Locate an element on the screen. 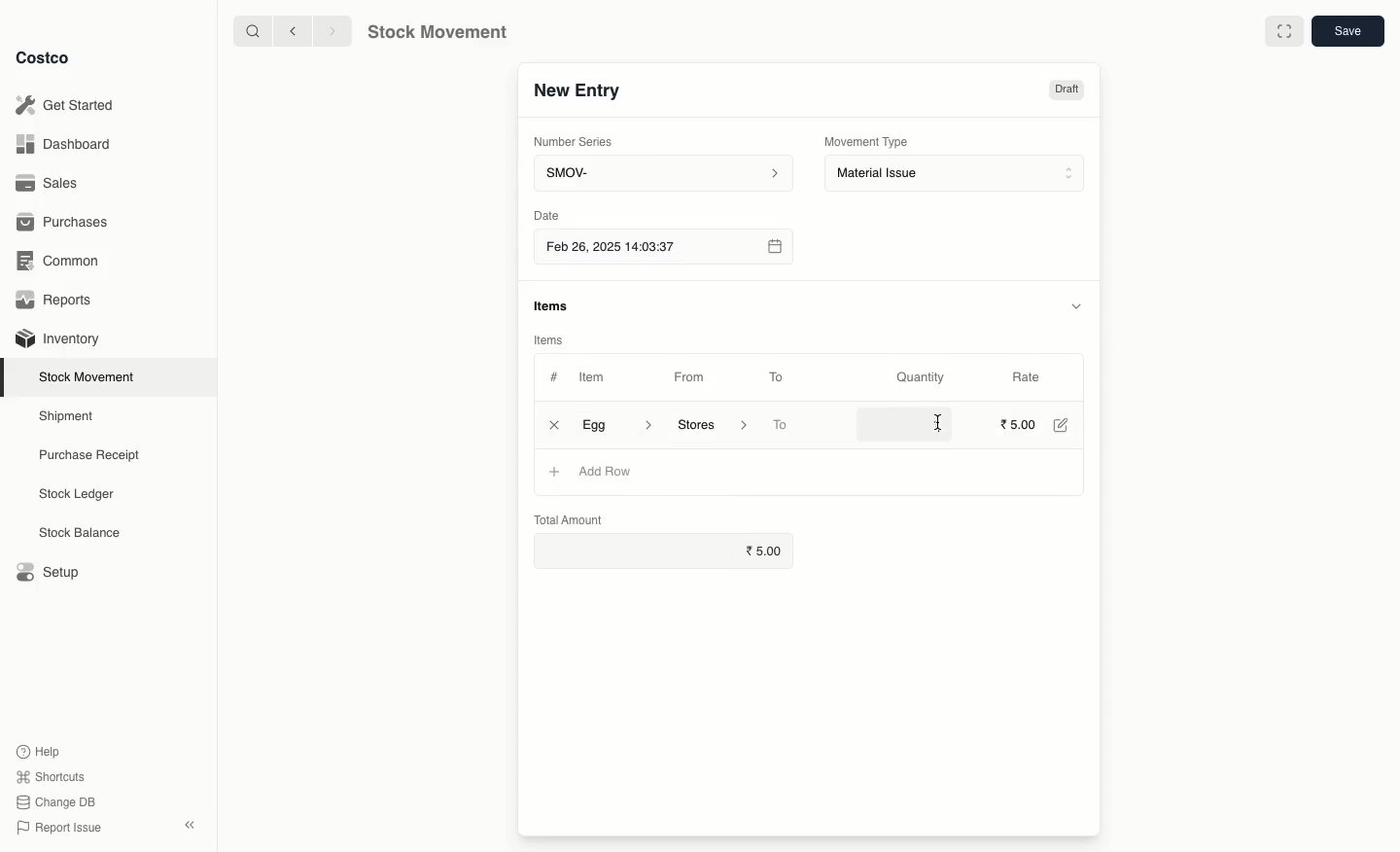 The width and height of the screenshot is (1400, 852). Dashboard is located at coordinates (65, 146).